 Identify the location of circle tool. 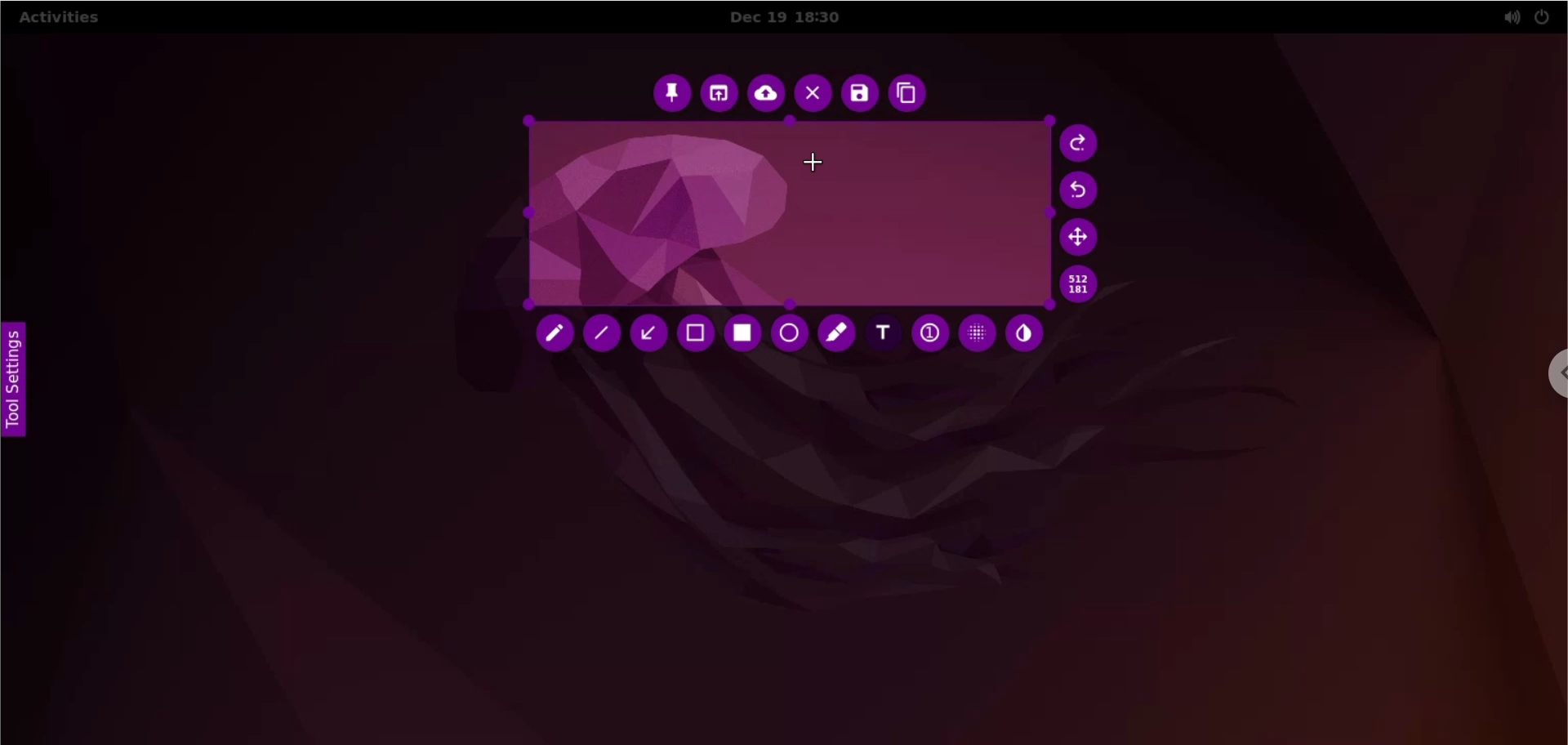
(791, 334).